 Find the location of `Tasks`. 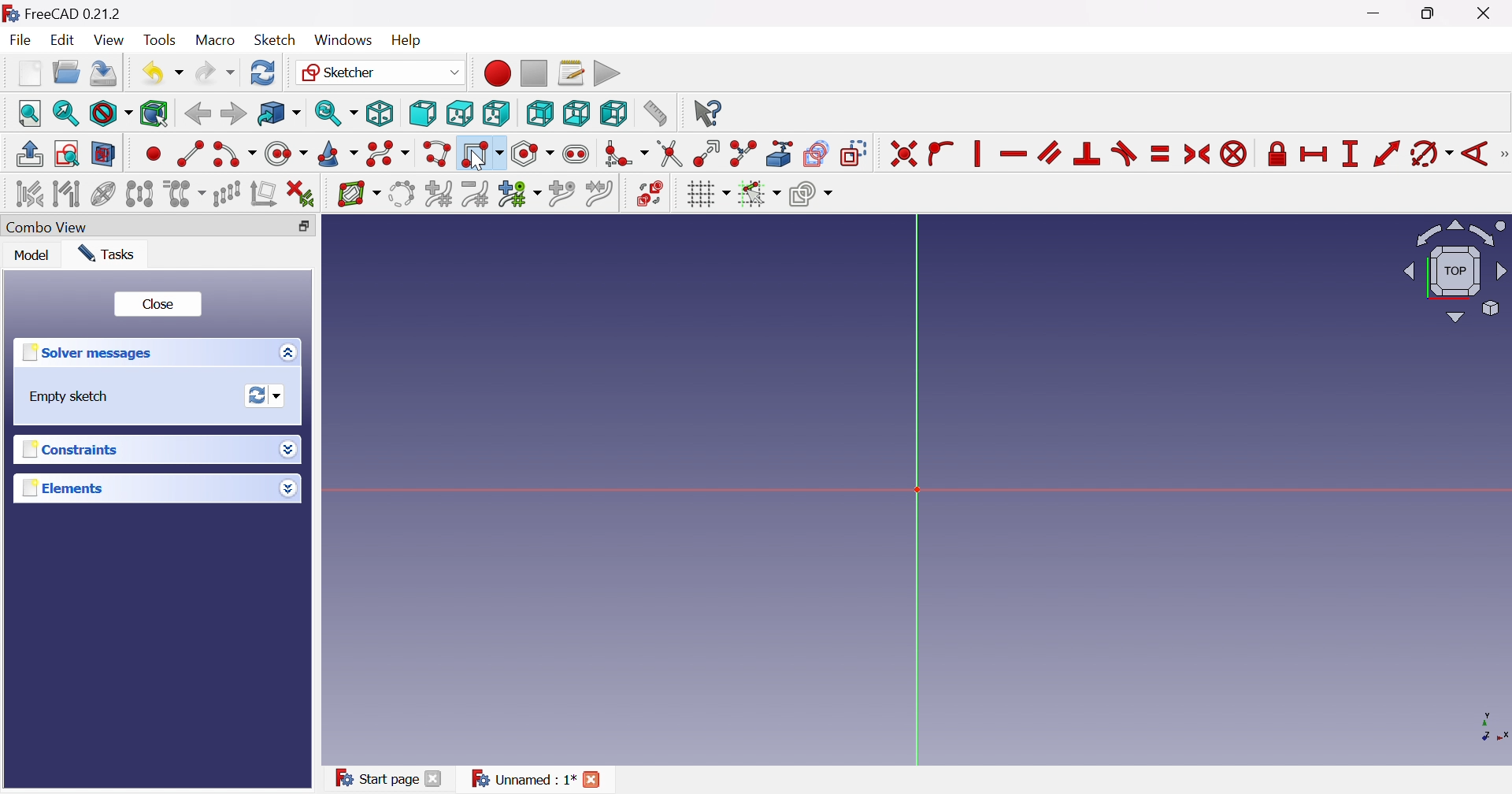

Tasks is located at coordinates (112, 254).